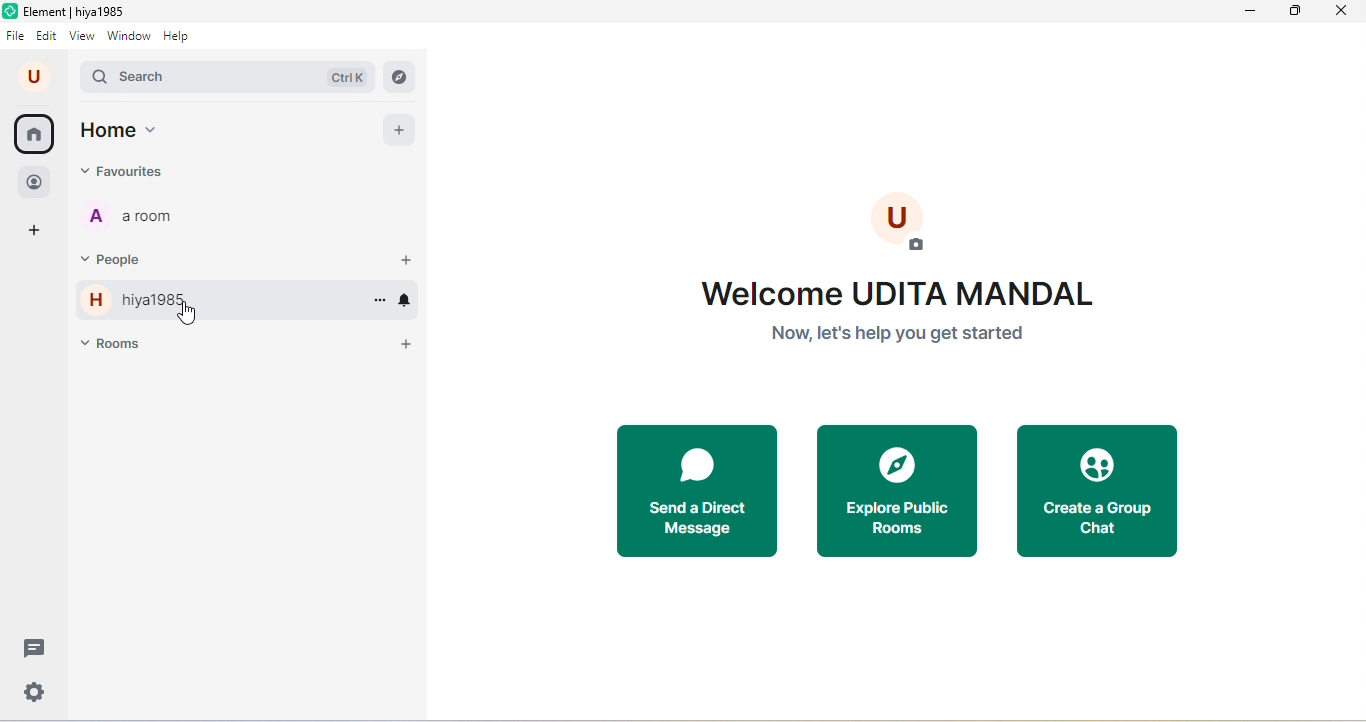  I want to click on Home , so click(131, 132).